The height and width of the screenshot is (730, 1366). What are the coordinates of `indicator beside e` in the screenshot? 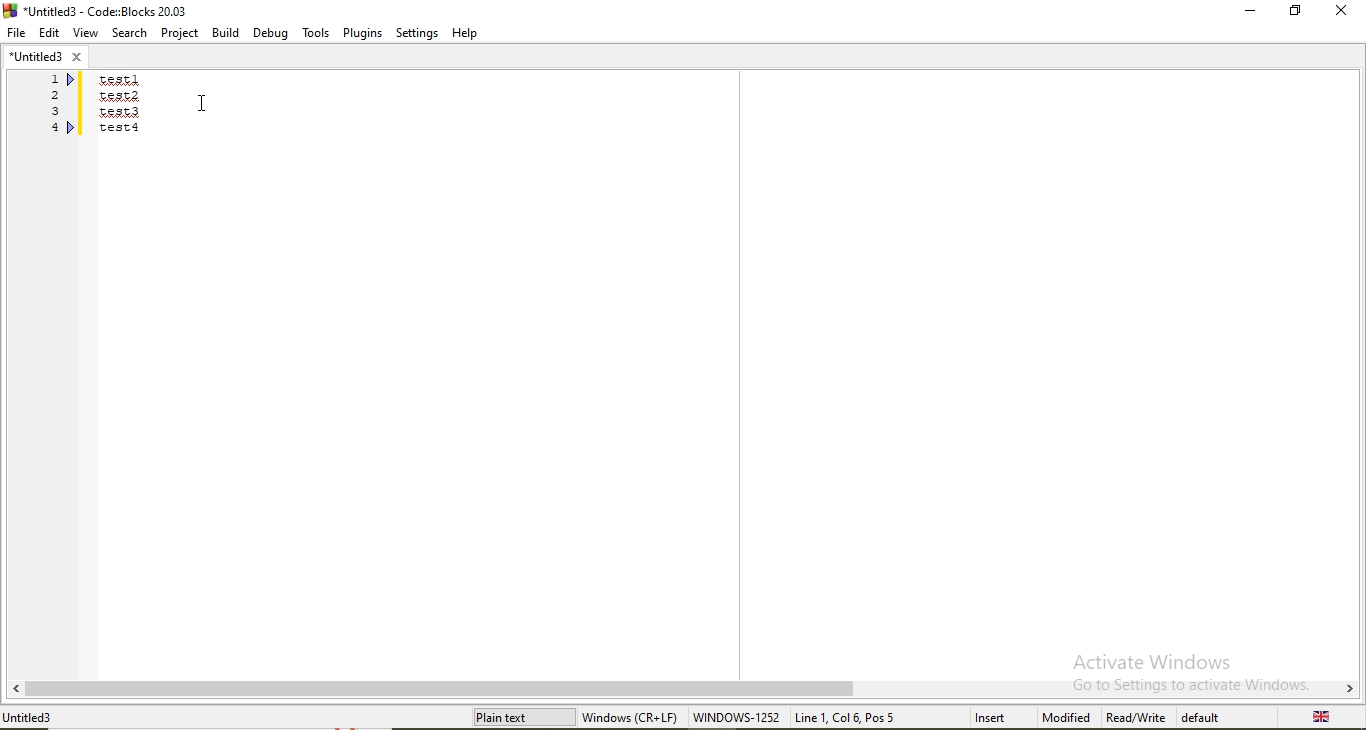 It's located at (73, 127).